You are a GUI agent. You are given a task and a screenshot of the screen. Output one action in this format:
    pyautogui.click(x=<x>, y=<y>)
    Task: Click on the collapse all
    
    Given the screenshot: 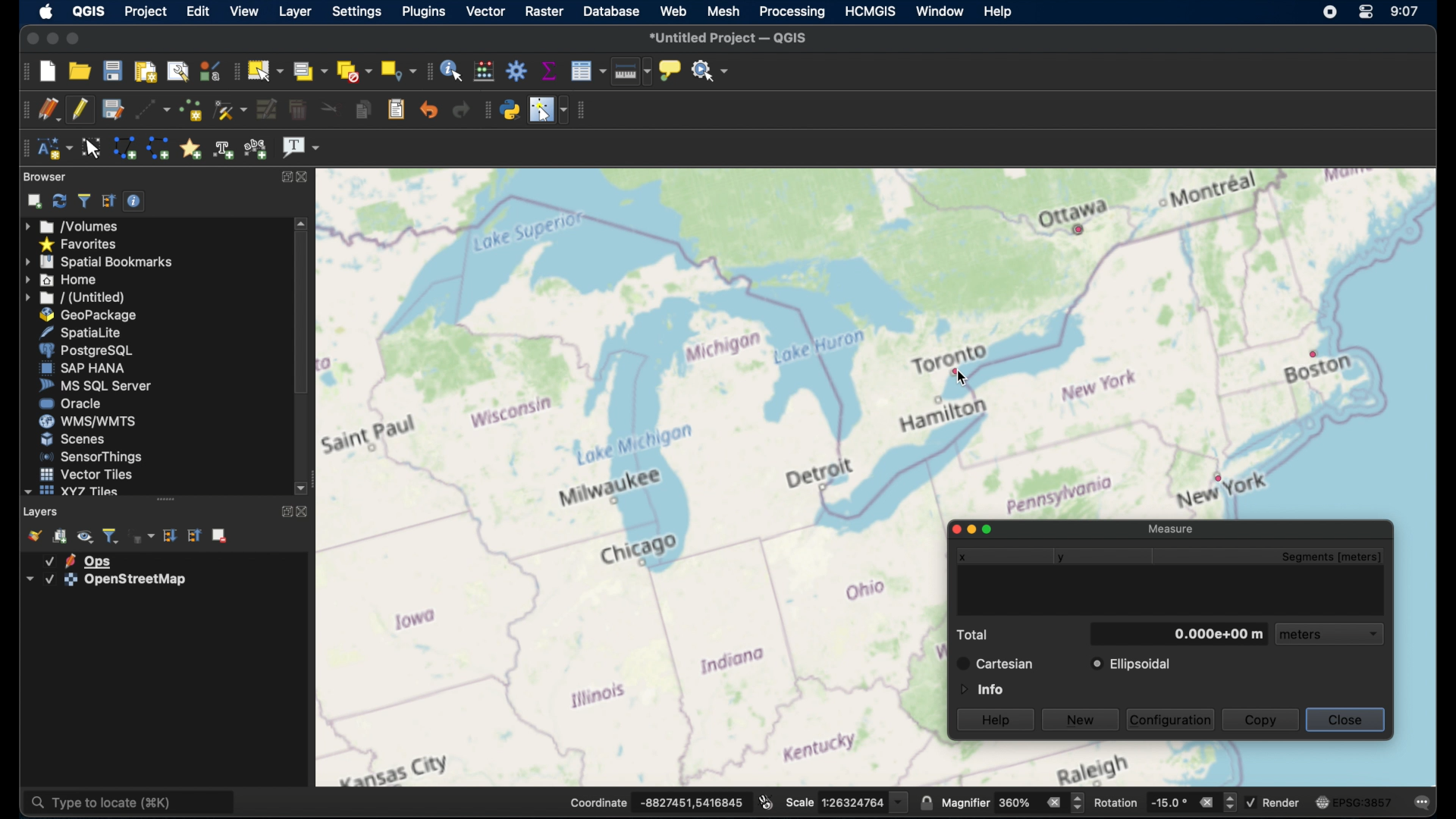 What is the action you would take?
    pyautogui.click(x=108, y=201)
    